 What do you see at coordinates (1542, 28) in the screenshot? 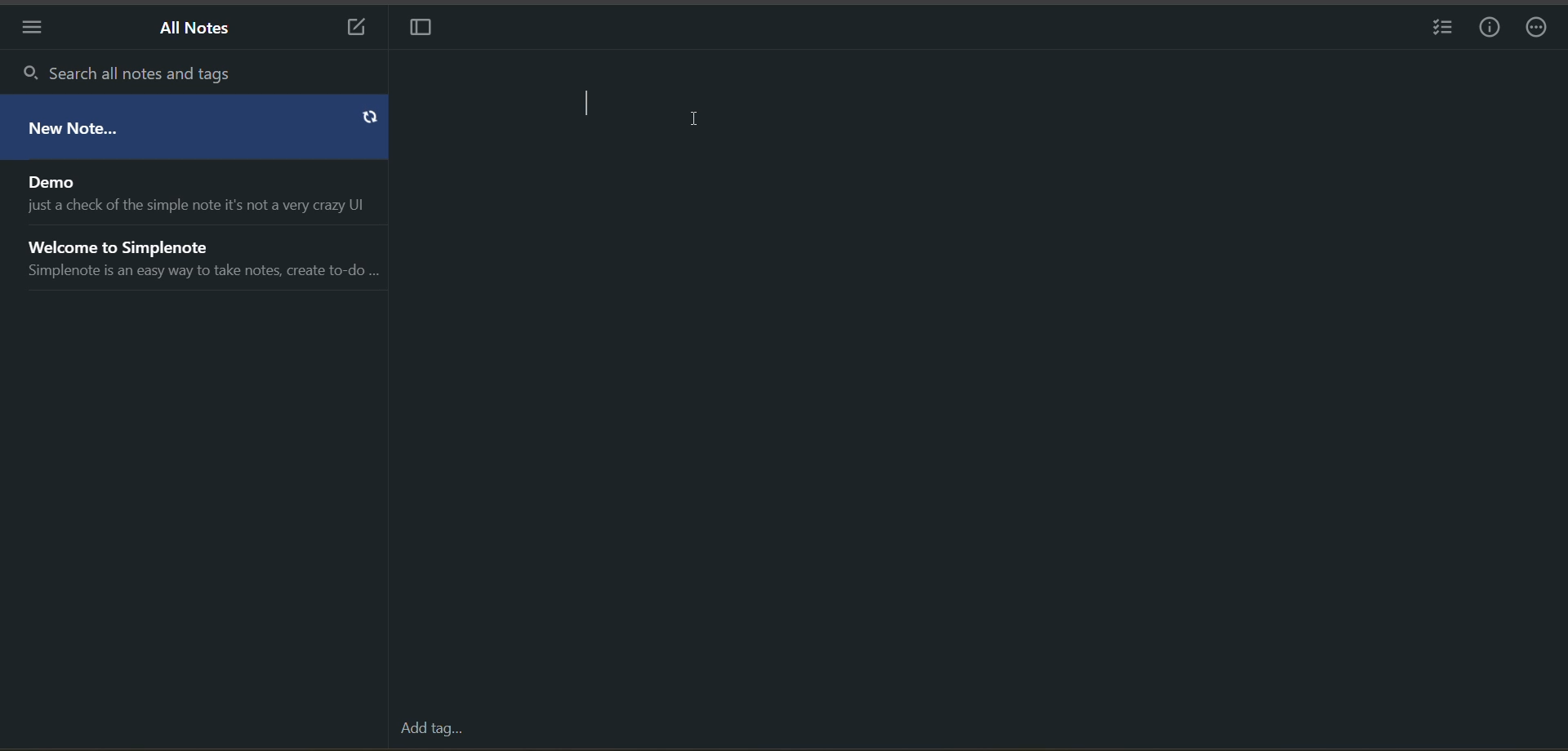
I see `actions` at bounding box center [1542, 28].